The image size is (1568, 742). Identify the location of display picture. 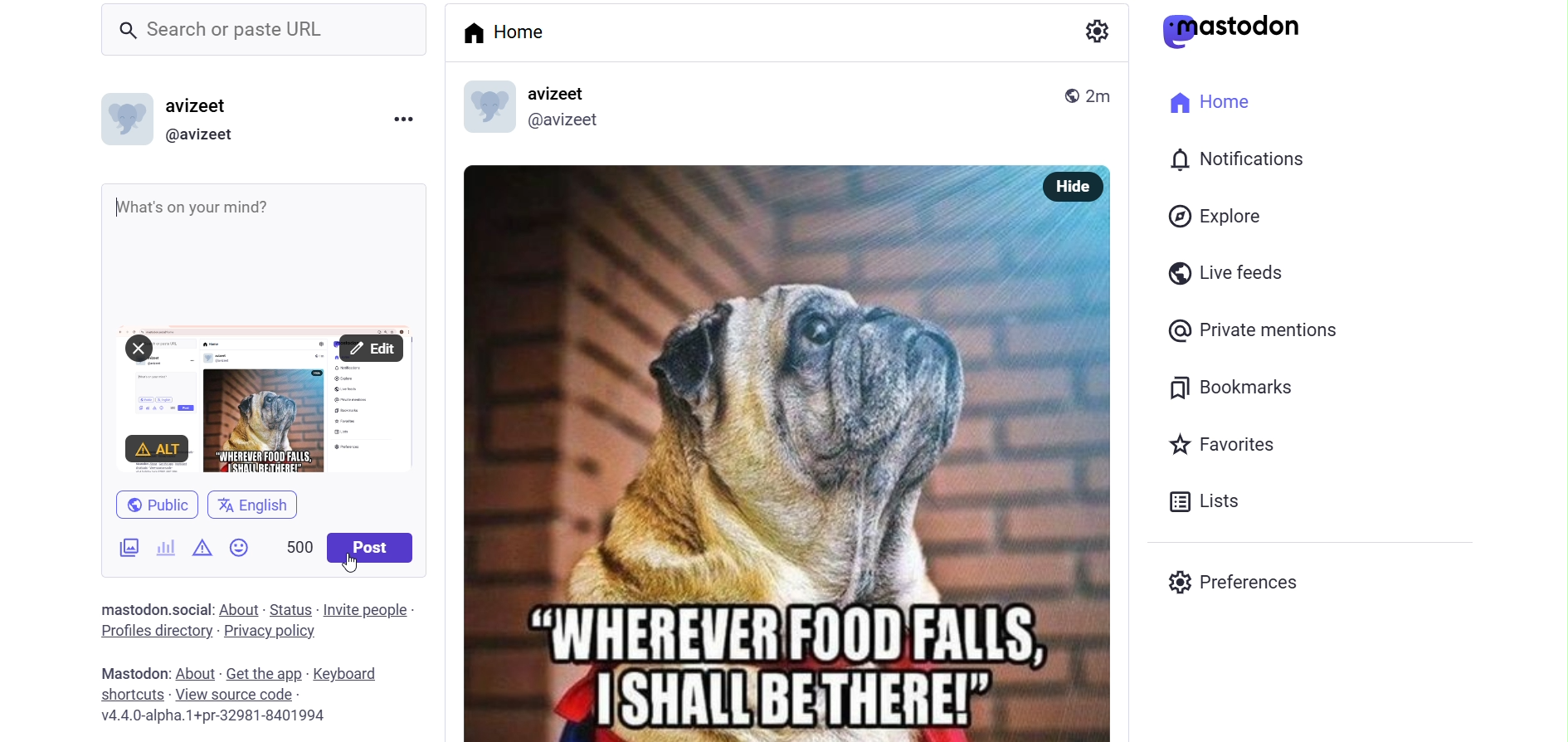
(126, 118).